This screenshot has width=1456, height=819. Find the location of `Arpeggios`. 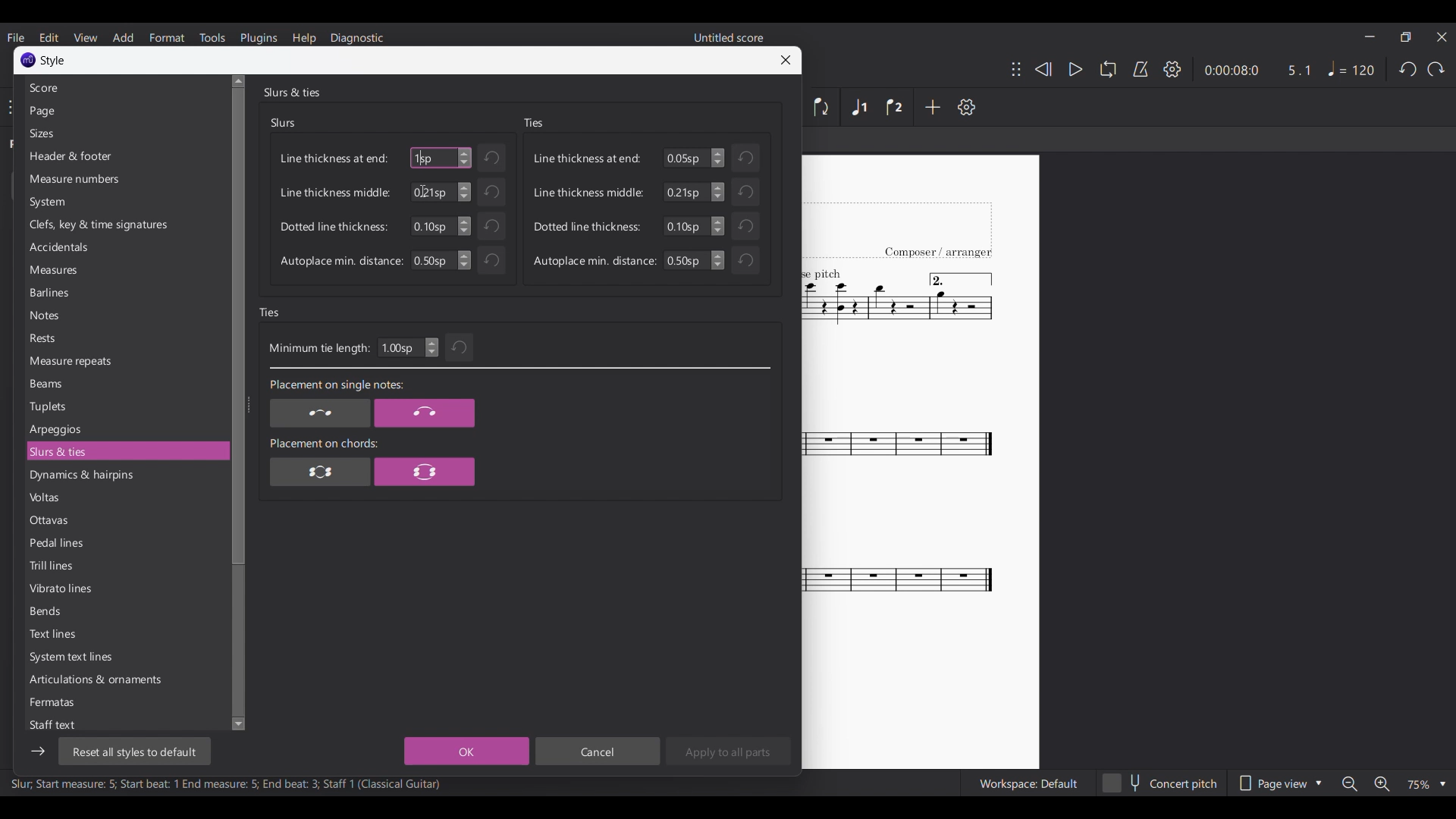

Arpeggios is located at coordinates (125, 429).